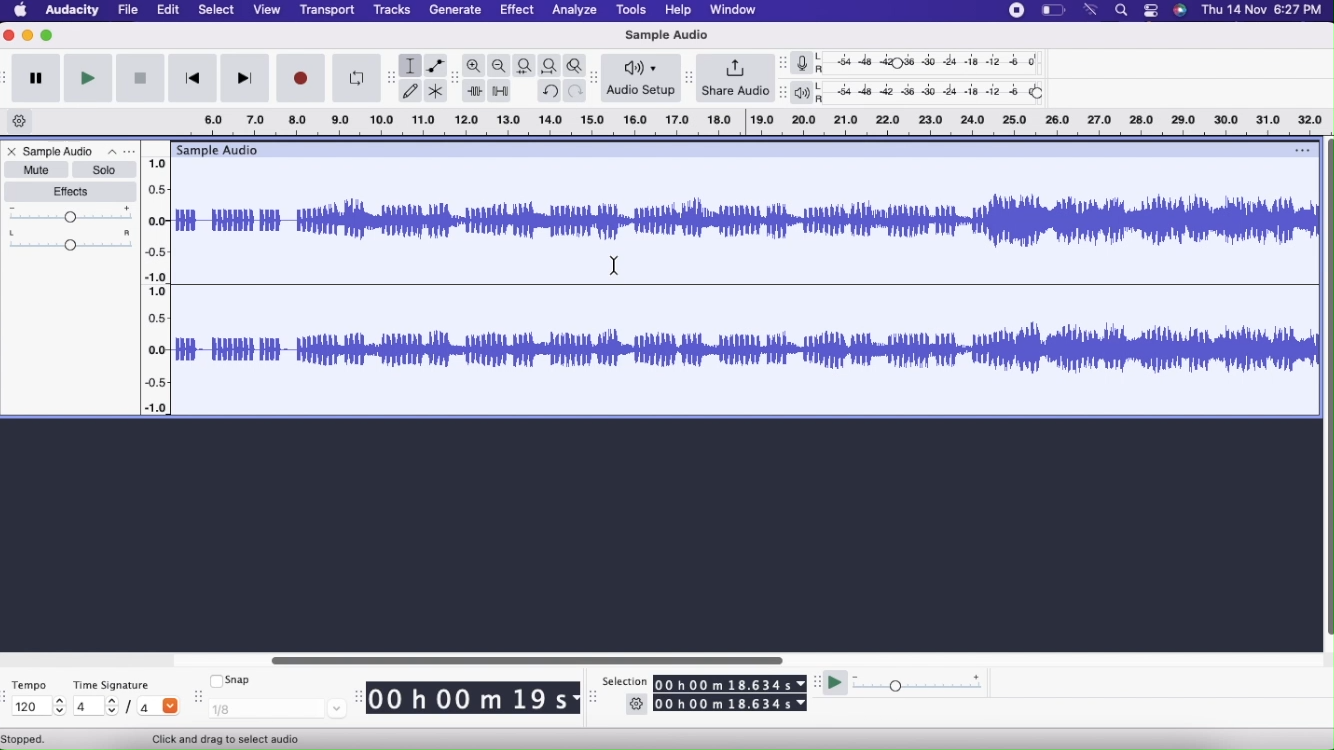 Image resolution: width=1334 pixels, height=750 pixels. I want to click on Sample Audio, so click(60, 151).